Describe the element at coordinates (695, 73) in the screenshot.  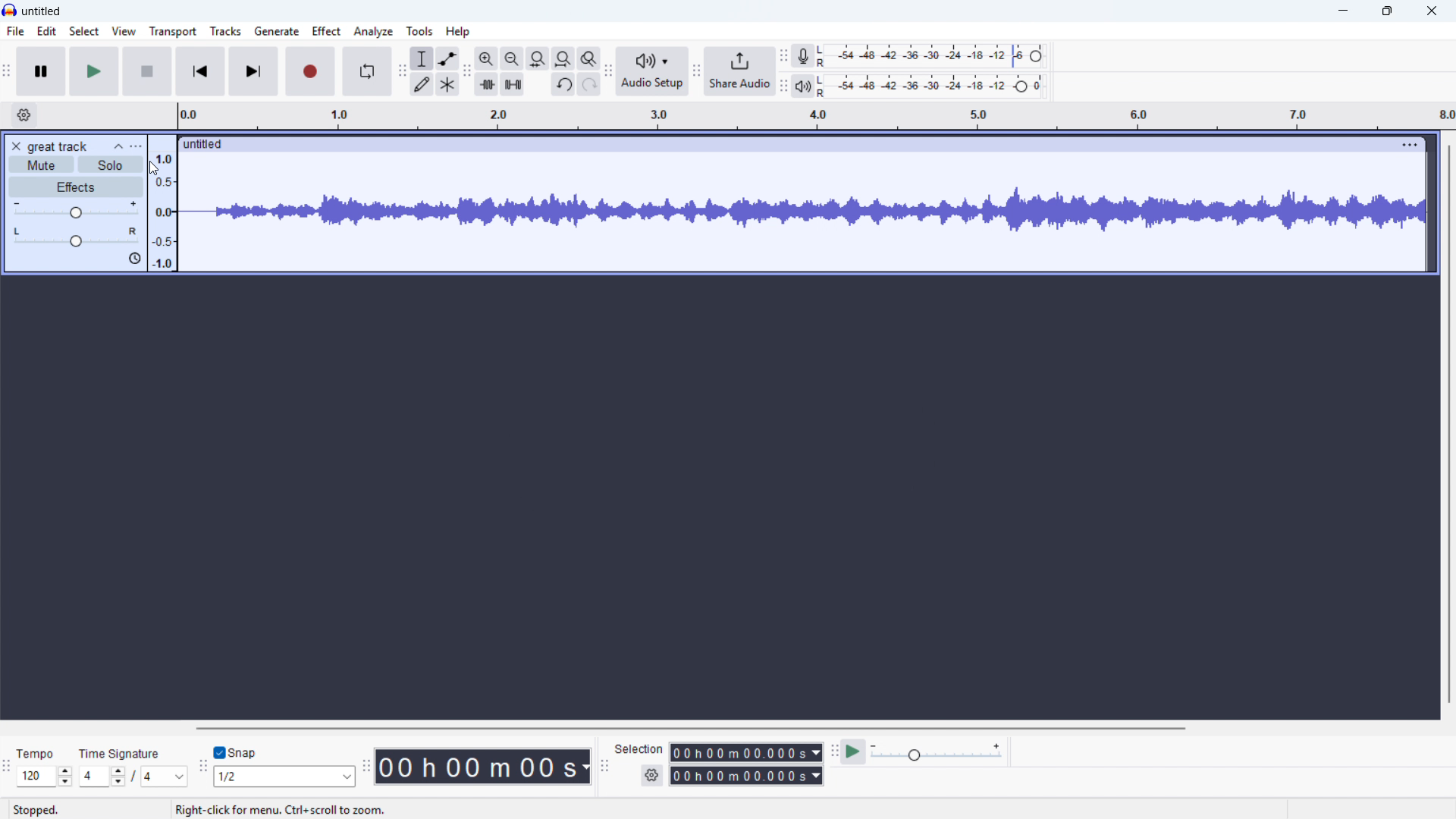
I see `Share audio toolbar ` at that location.